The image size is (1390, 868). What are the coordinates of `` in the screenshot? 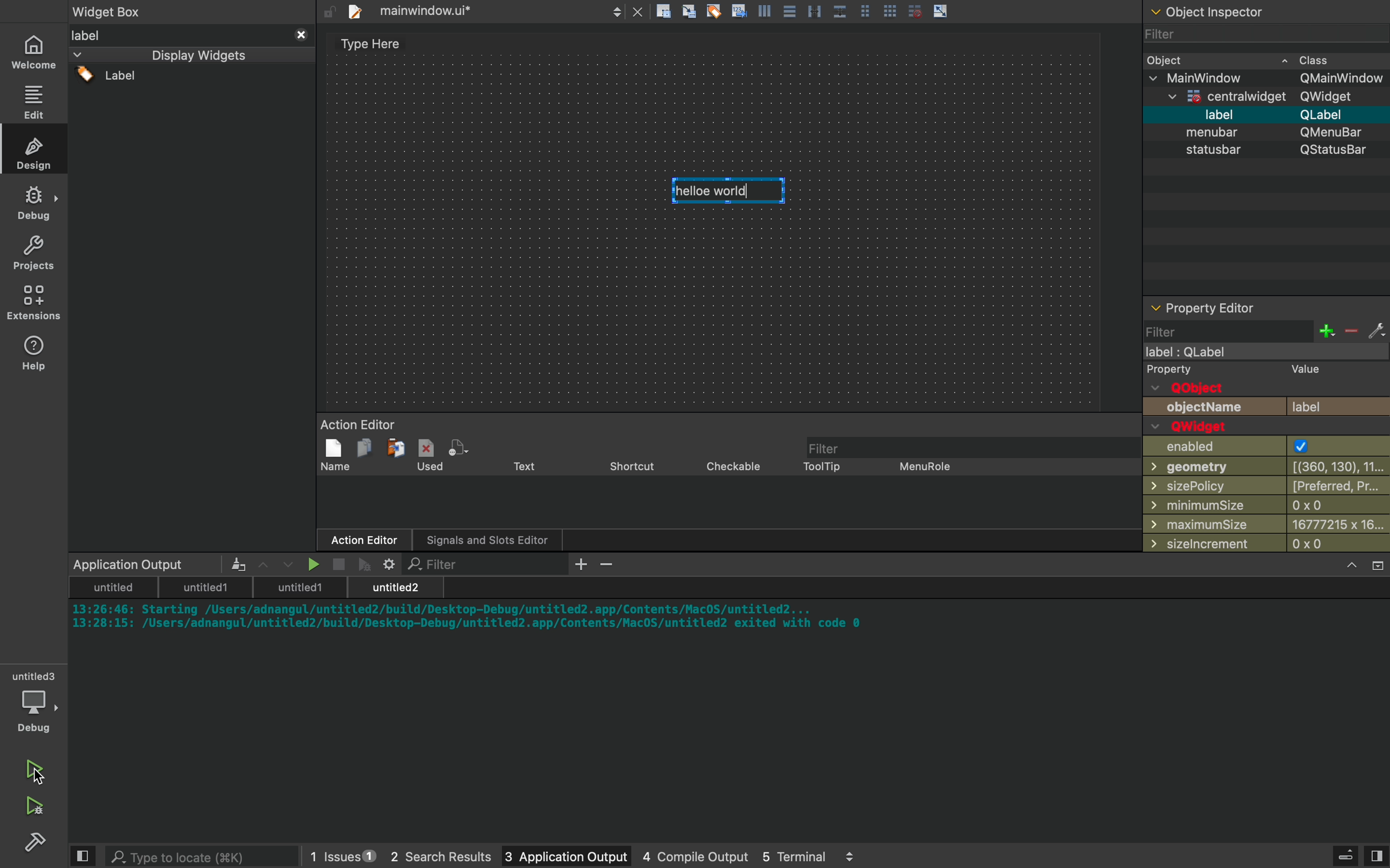 It's located at (1257, 133).